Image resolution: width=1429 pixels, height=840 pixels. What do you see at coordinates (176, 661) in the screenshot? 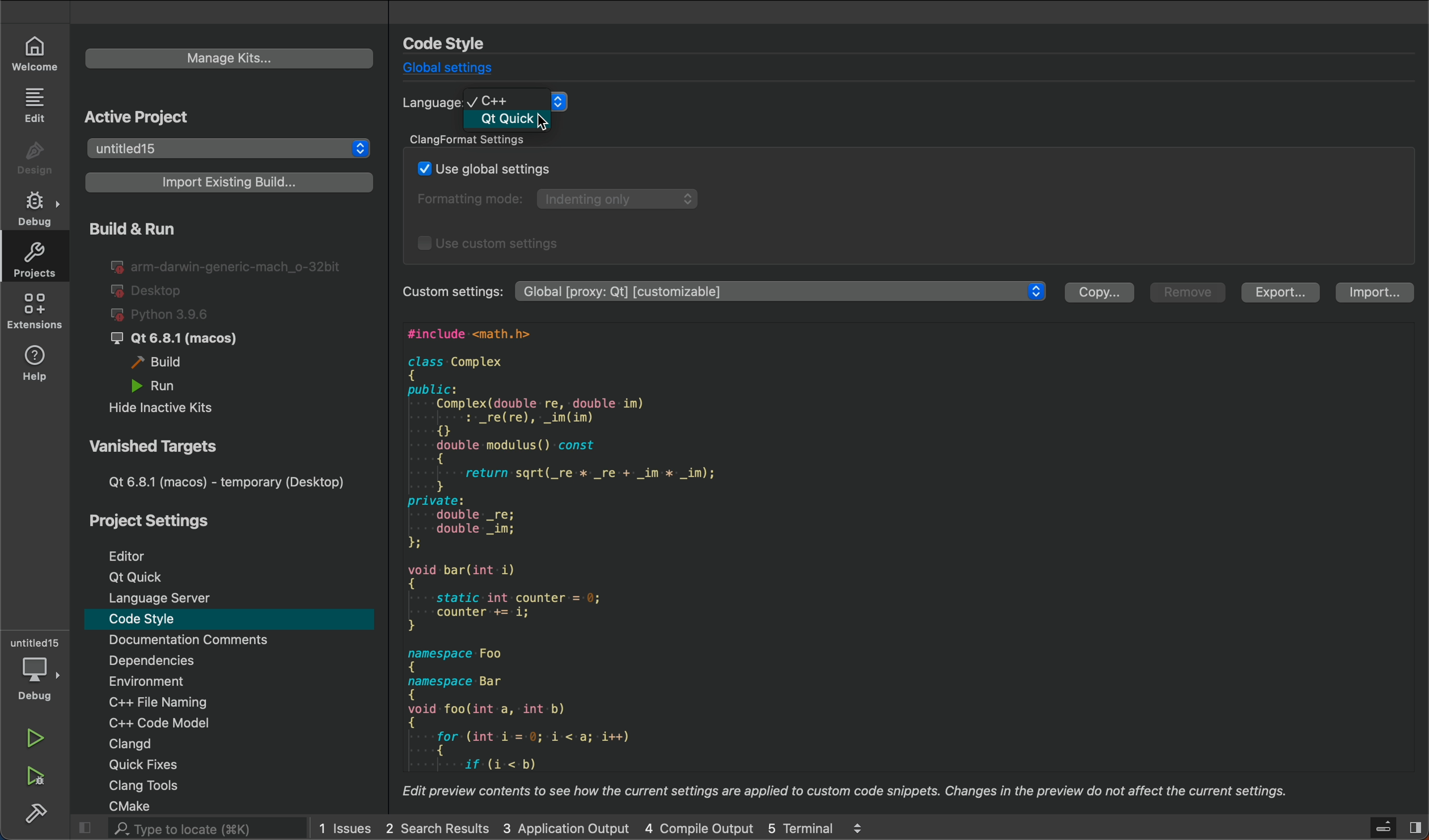
I see `Dependencies ` at bounding box center [176, 661].